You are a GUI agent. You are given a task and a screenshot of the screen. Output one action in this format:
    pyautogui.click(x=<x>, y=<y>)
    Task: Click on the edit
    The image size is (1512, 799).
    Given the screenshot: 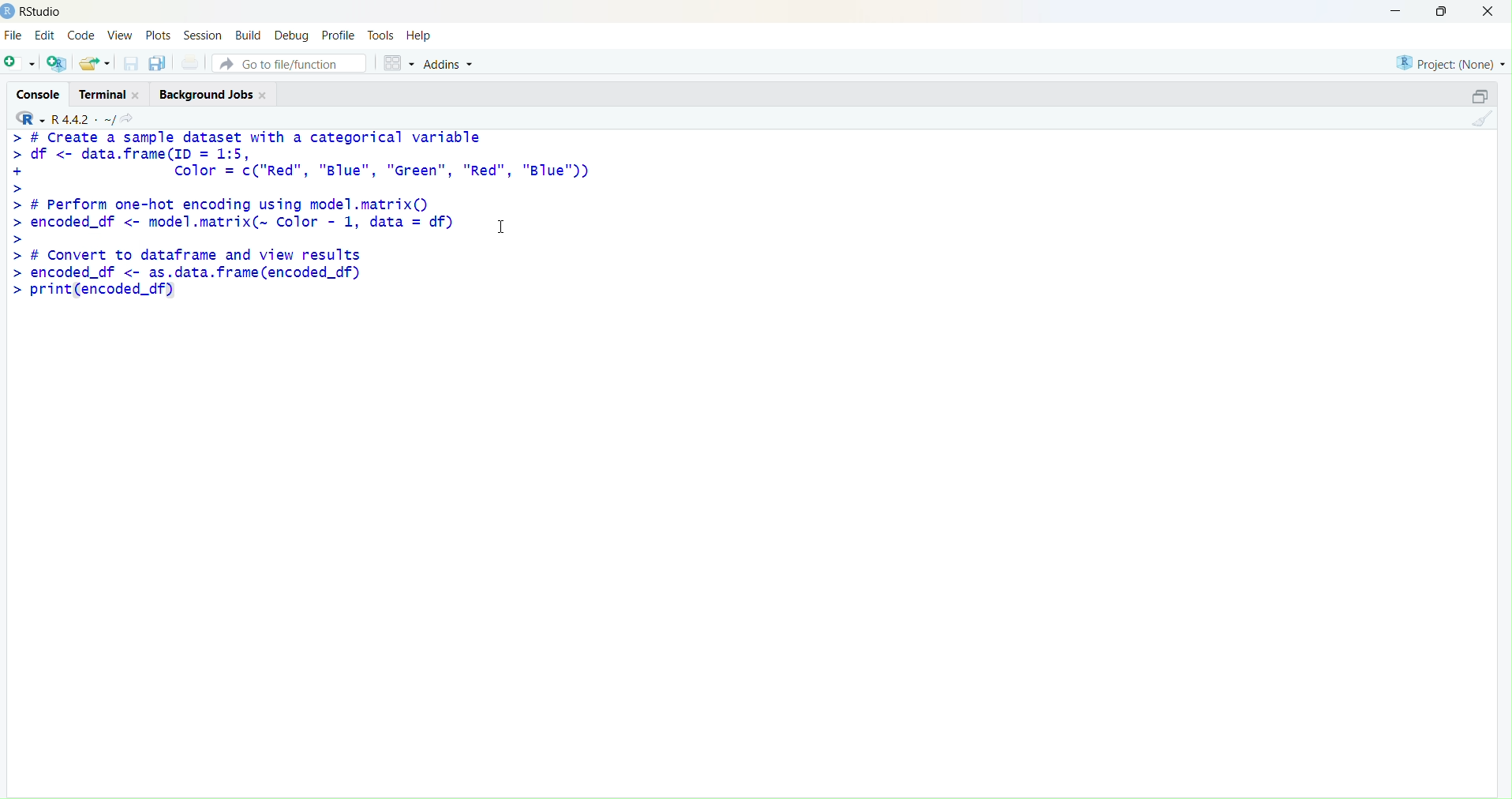 What is the action you would take?
    pyautogui.click(x=46, y=35)
    